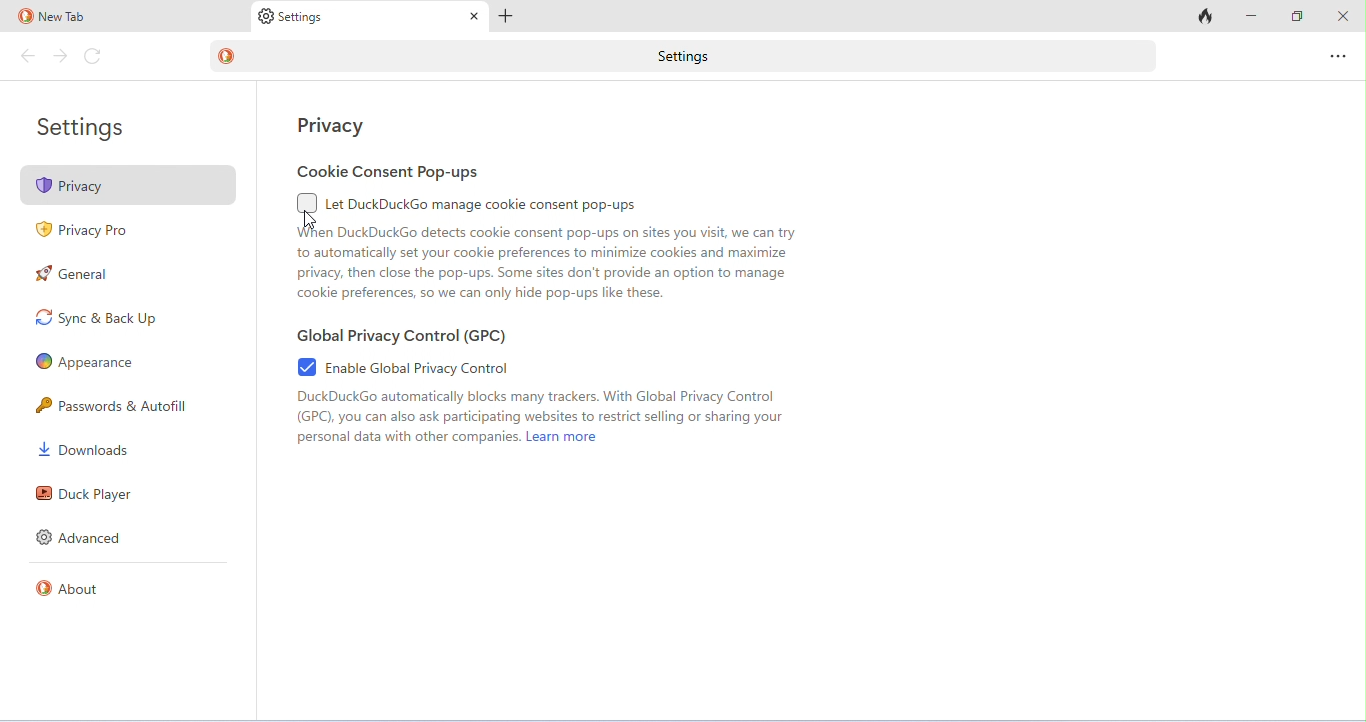 Image resolution: width=1366 pixels, height=722 pixels. Describe the element at coordinates (470, 203) in the screenshot. I see `Let duckduckgo manage cookie constant pop ups` at that location.